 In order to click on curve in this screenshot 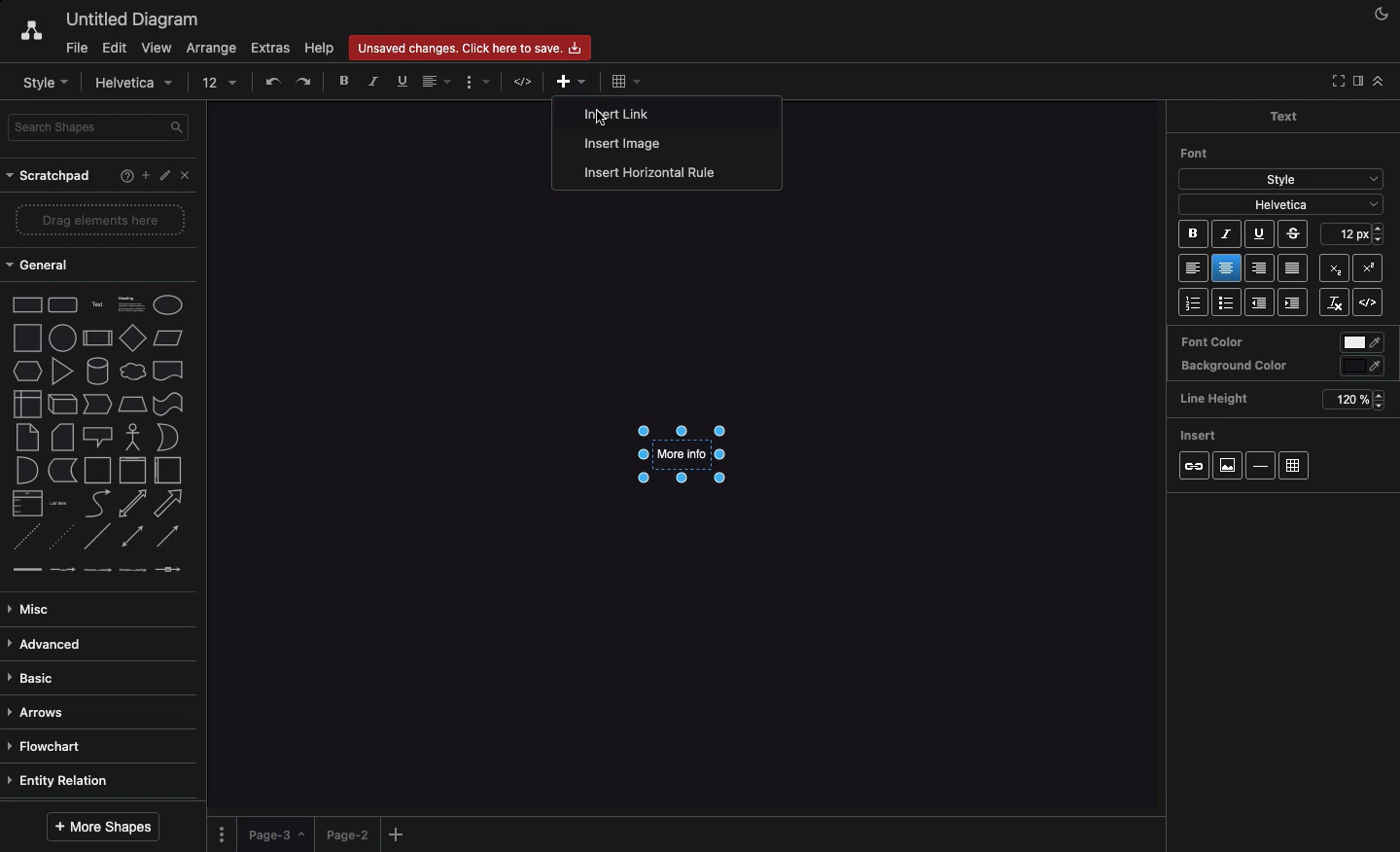, I will do `click(98, 502)`.